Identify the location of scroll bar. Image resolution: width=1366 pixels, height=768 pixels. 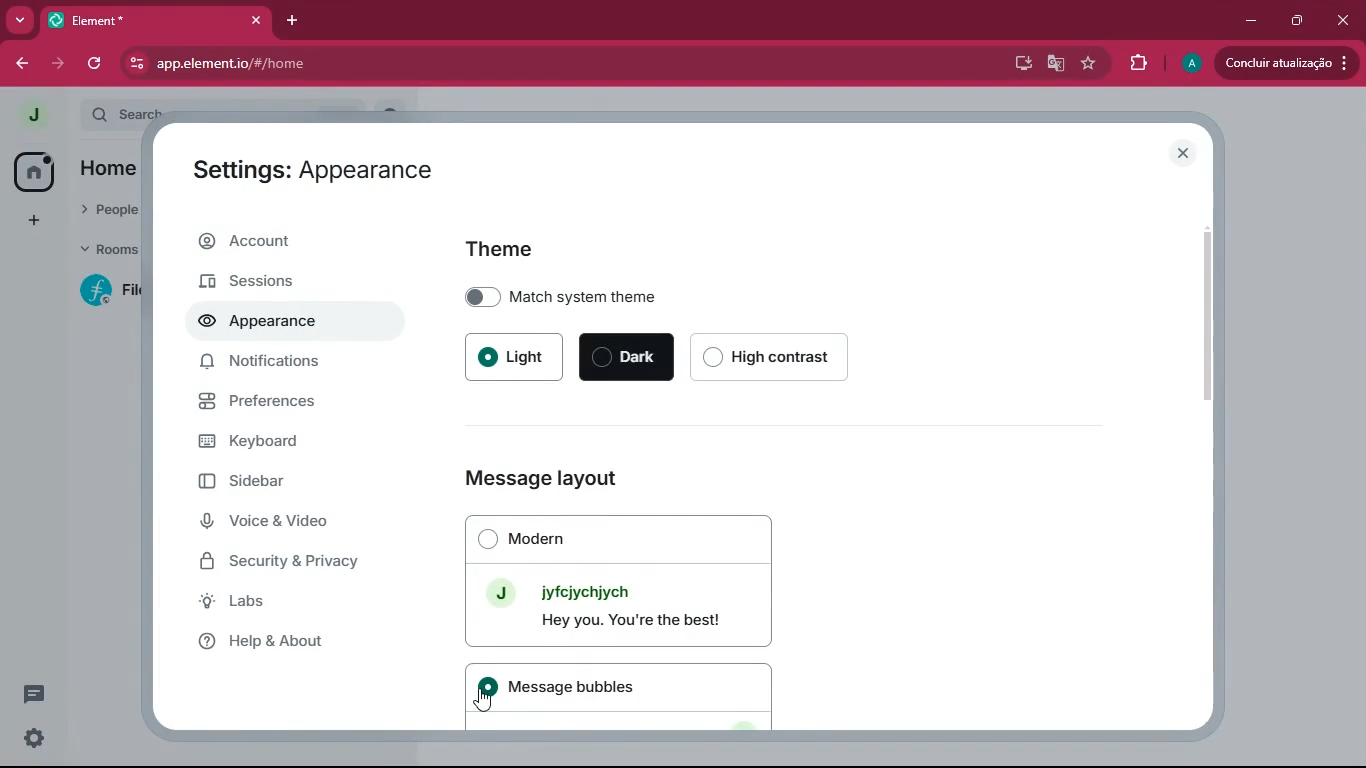
(1205, 308).